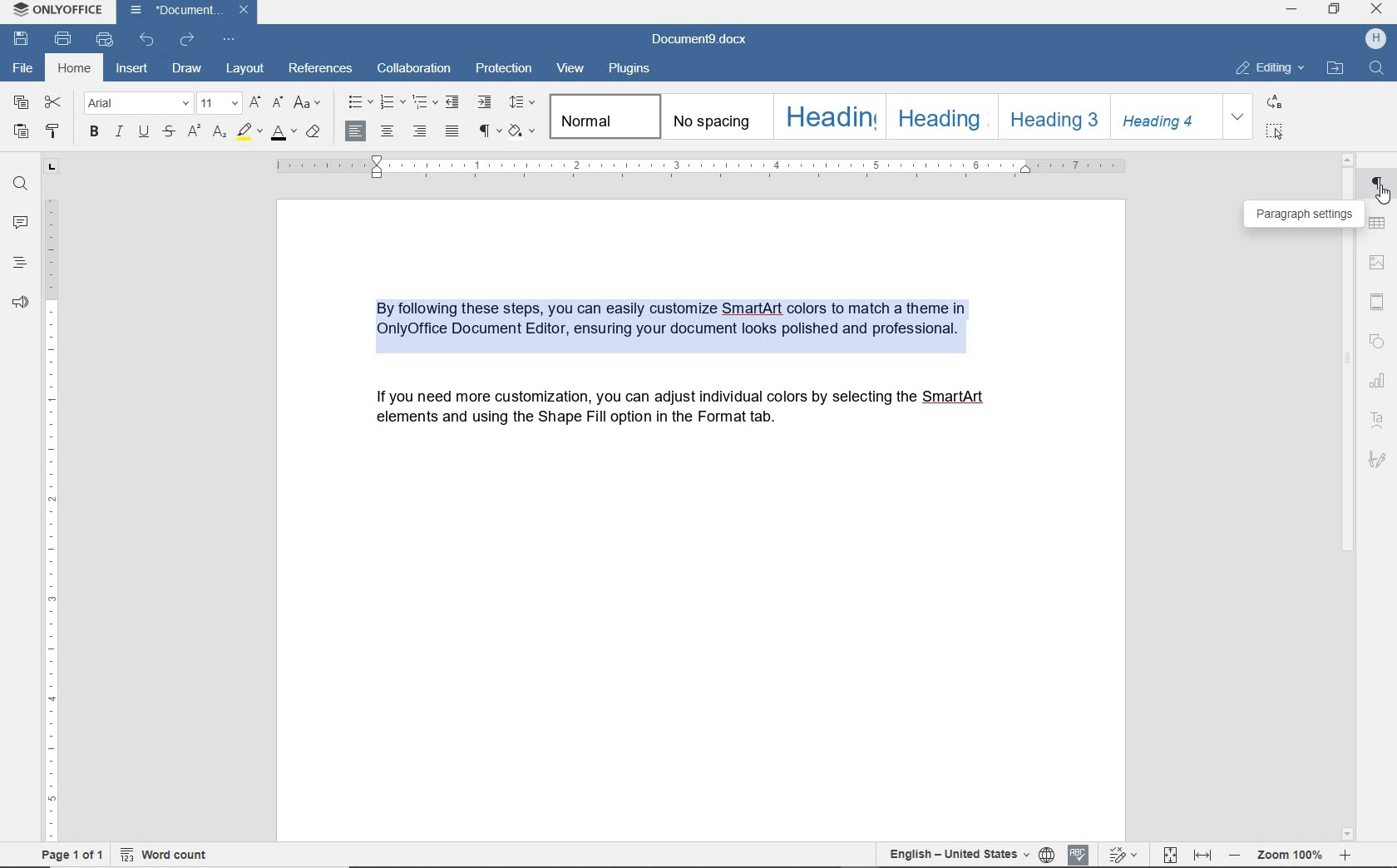 The image size is (1397, 868). Describe the element at coordinates (1238, 117) in the screenshot. I see `expand ` at that location.